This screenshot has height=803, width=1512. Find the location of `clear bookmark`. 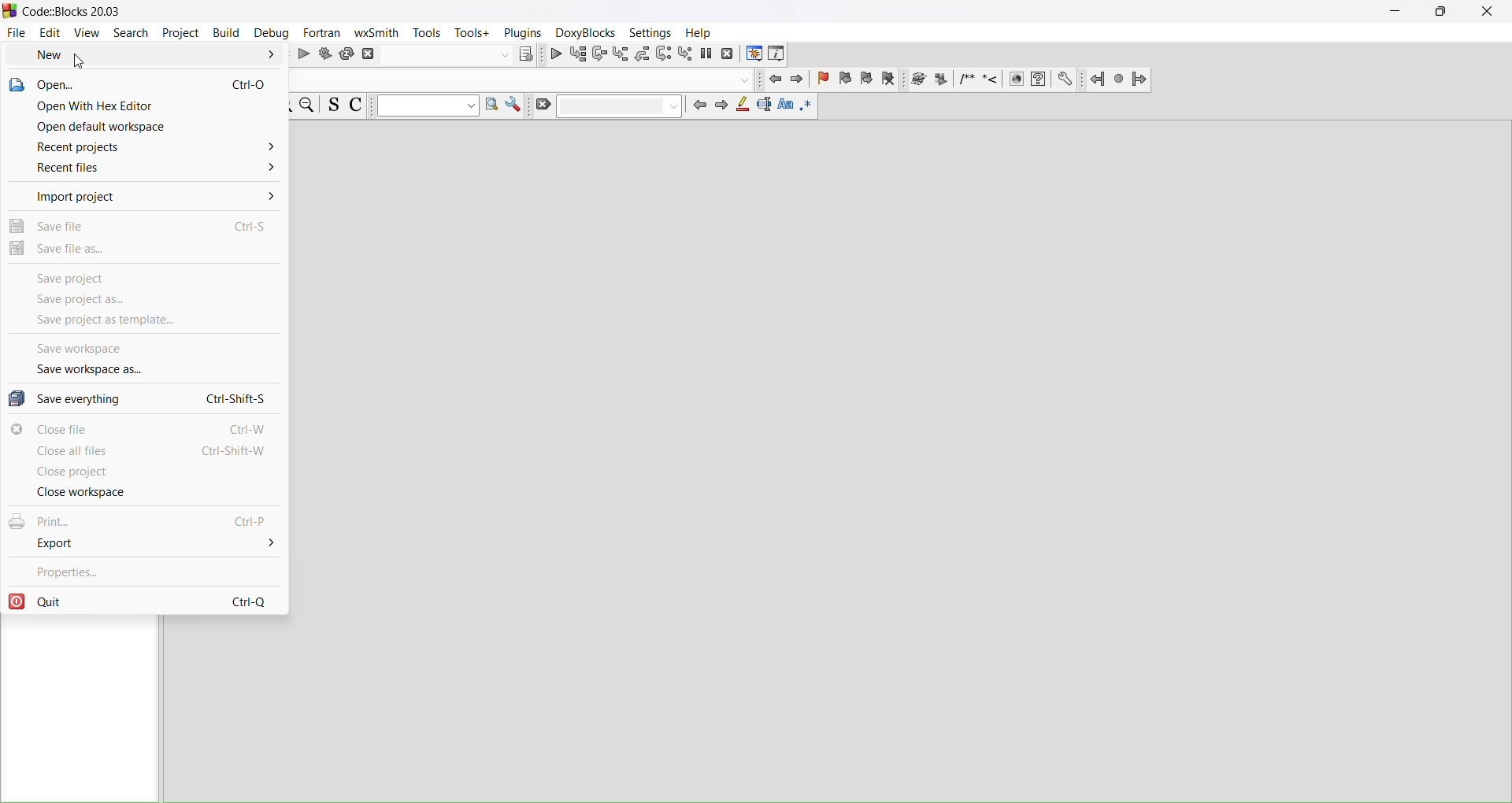

clear bookmark is located at coordinates (889, 80).